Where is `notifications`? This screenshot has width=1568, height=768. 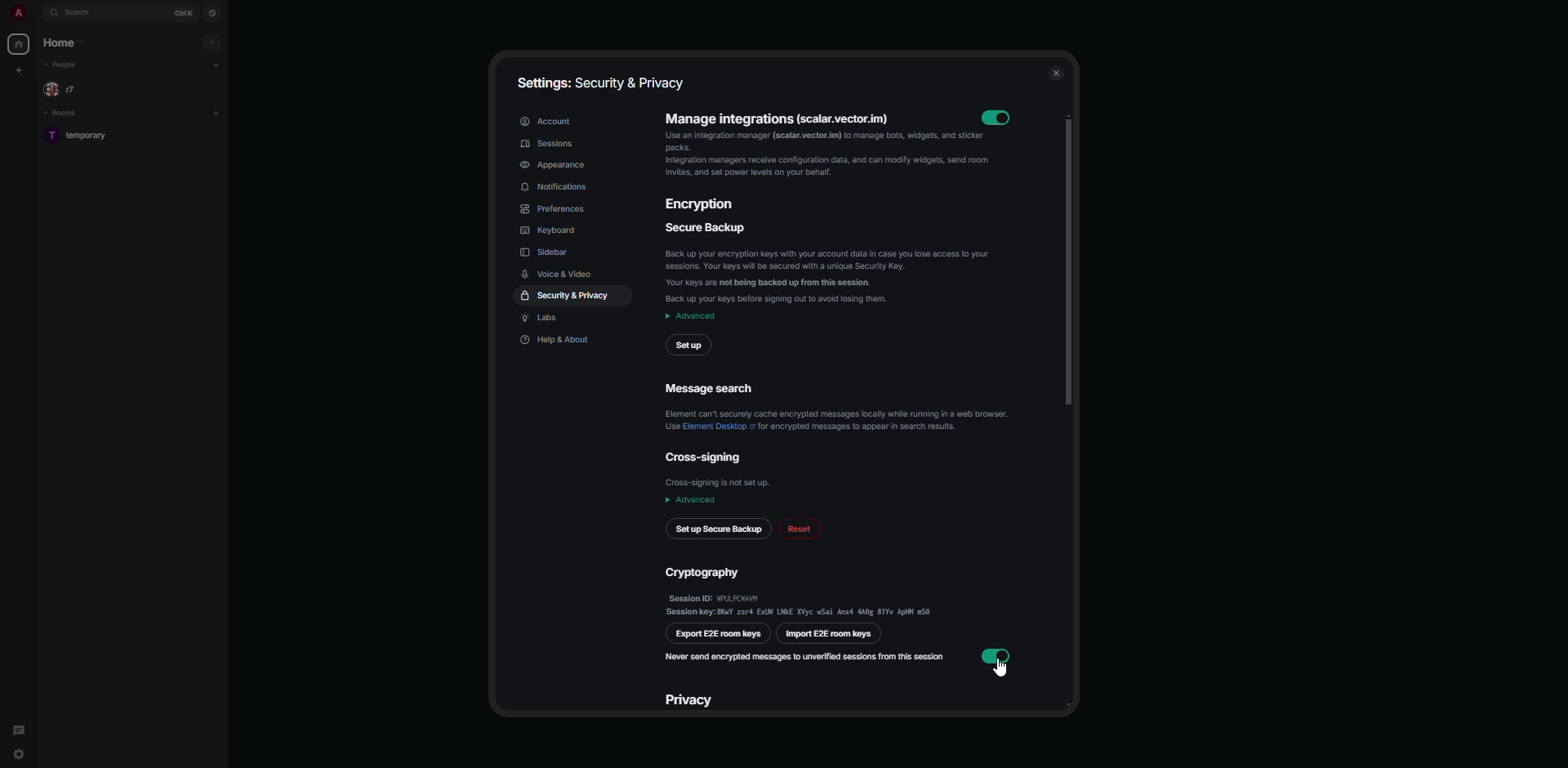
notifications is located at coordinates (556, 189).